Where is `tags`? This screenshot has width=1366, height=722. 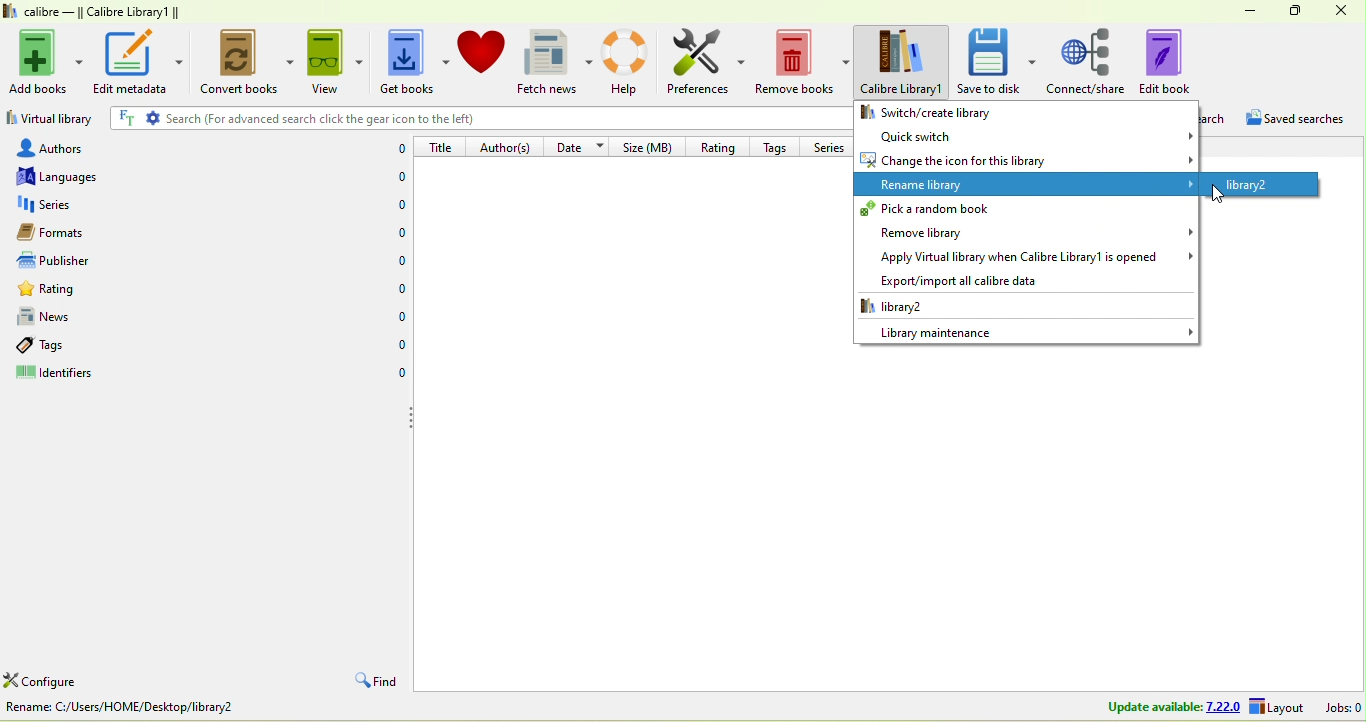
tags is located at coordinates (779, 145).